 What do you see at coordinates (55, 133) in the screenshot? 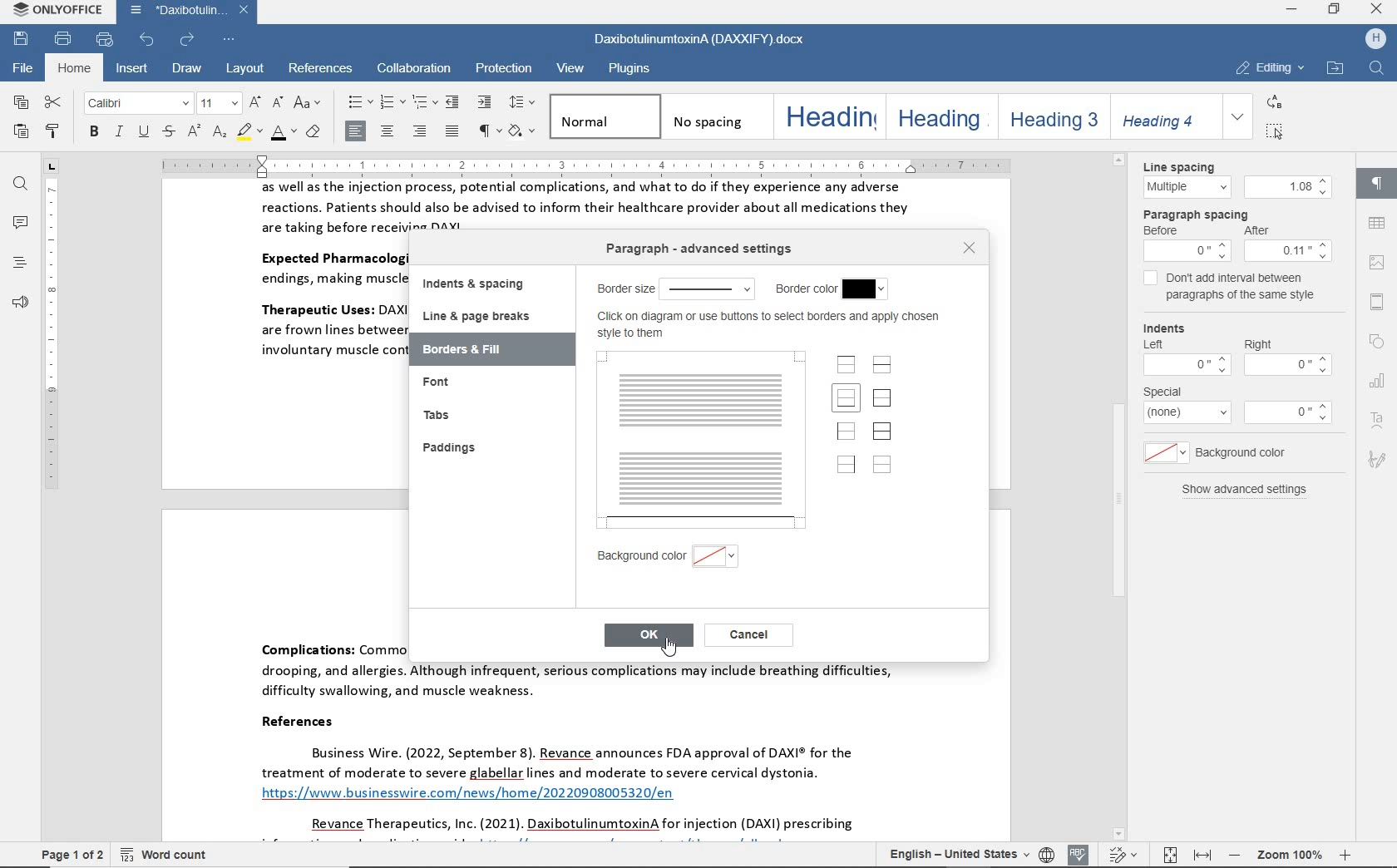
I see `copy style` at bounding box center [55, 133].